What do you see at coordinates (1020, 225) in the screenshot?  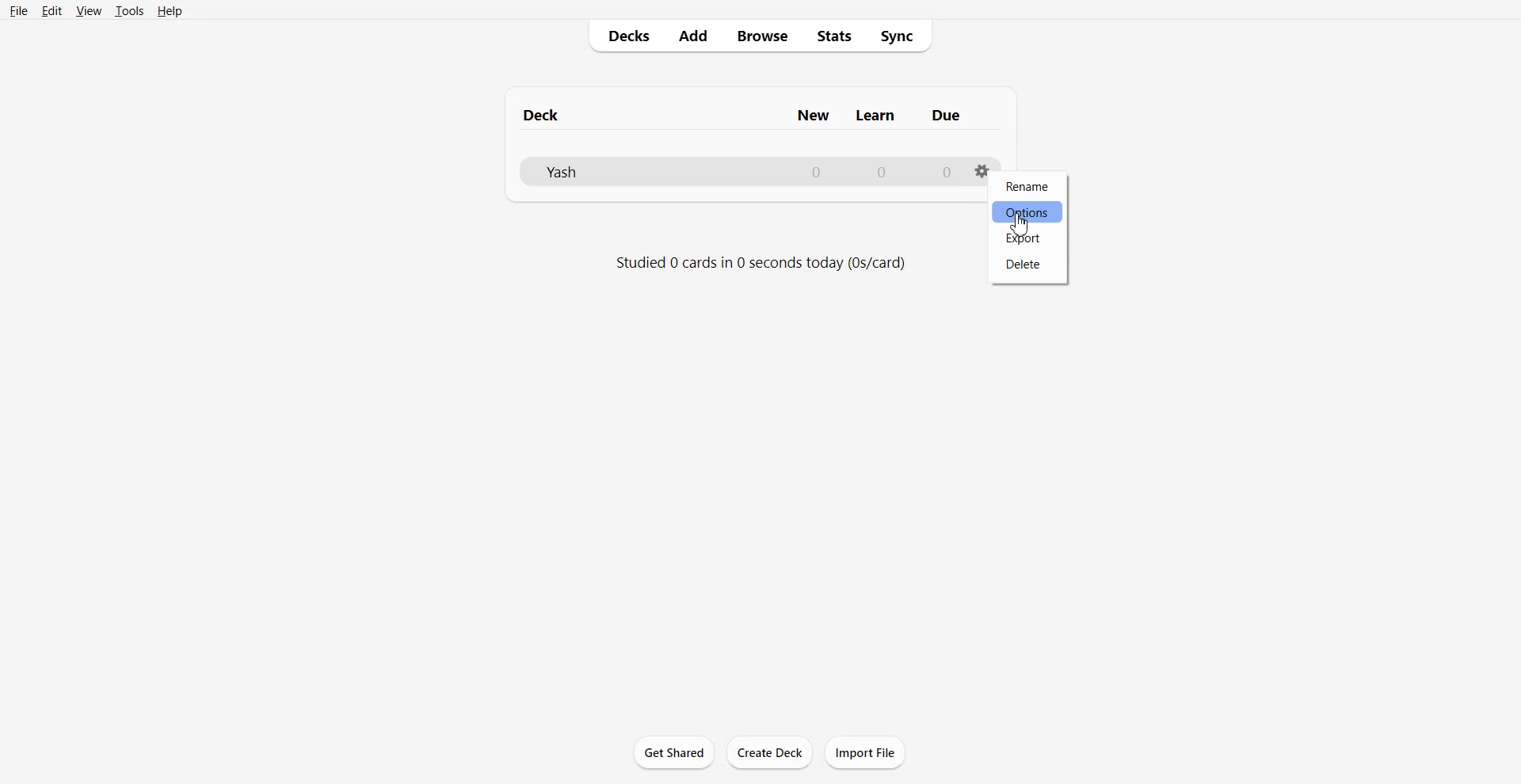 I see `Cursor` at bounding box center [1020, 225].